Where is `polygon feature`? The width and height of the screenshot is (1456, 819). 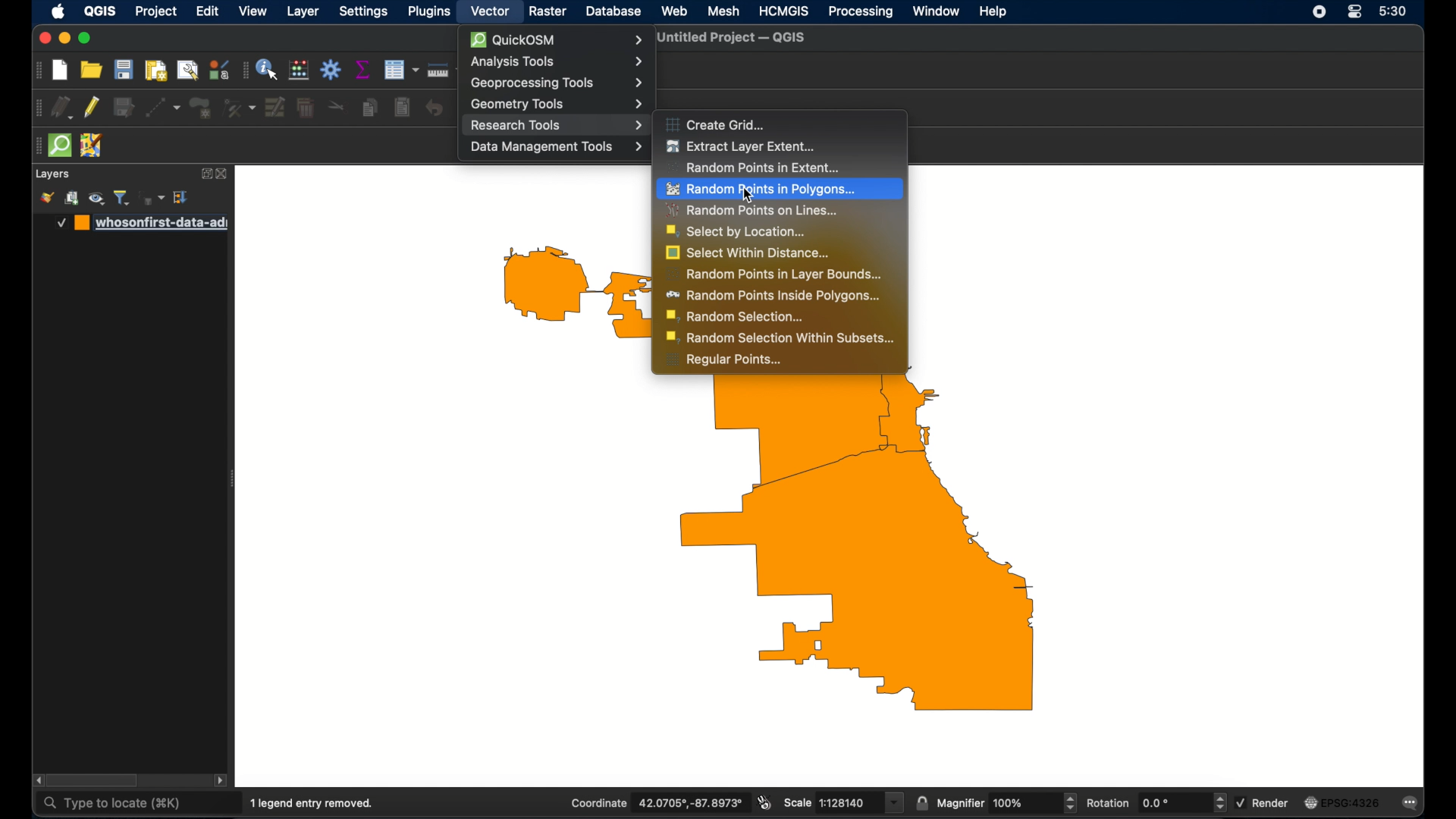 polygon feature is located at coordinates (200, 107).